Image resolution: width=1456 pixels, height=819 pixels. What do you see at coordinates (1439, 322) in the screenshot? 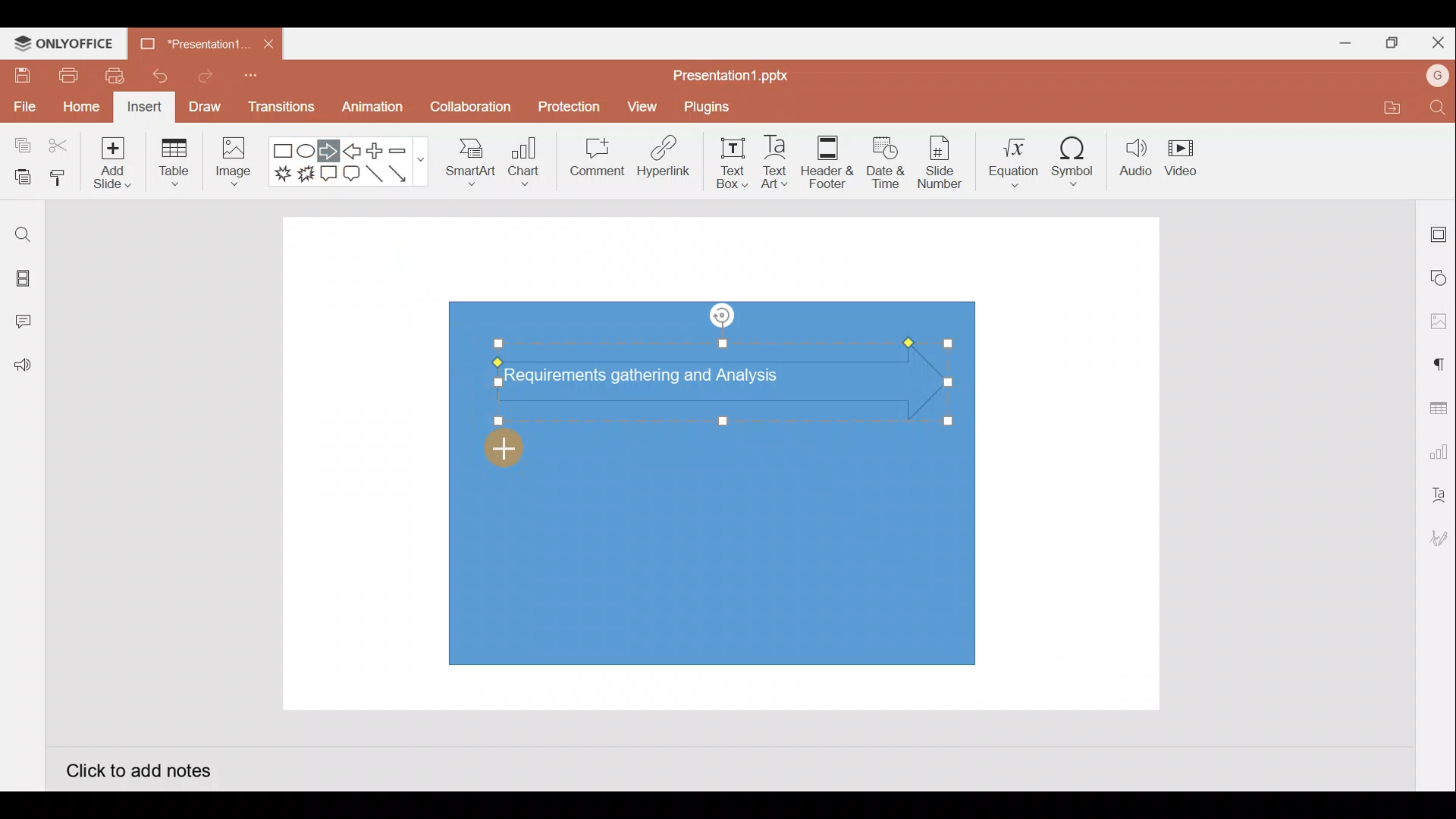
I see `Image settings` at bounding box center [1439, 322].